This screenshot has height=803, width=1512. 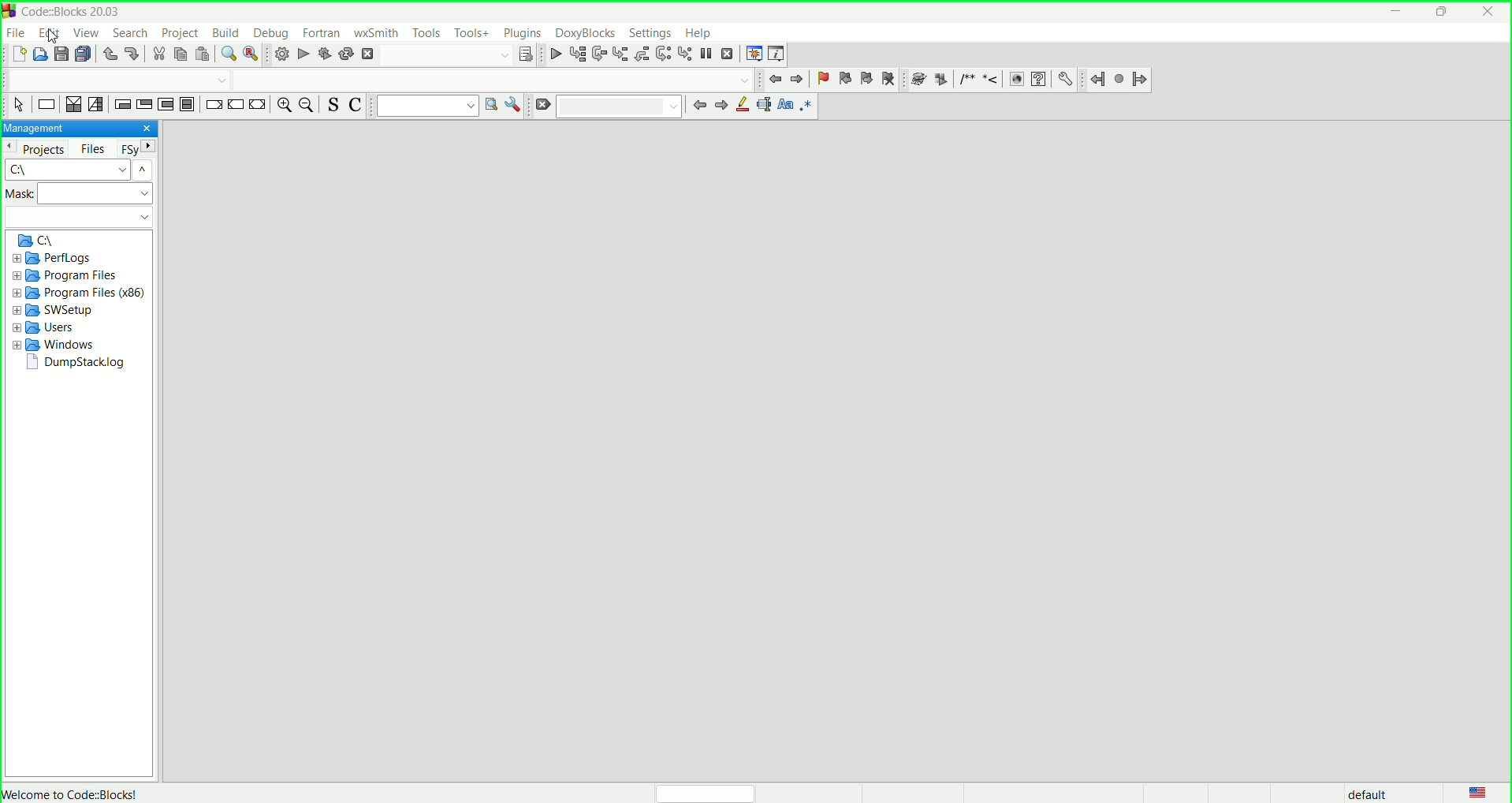 I want to click on match case, so click(x=787, y=104).